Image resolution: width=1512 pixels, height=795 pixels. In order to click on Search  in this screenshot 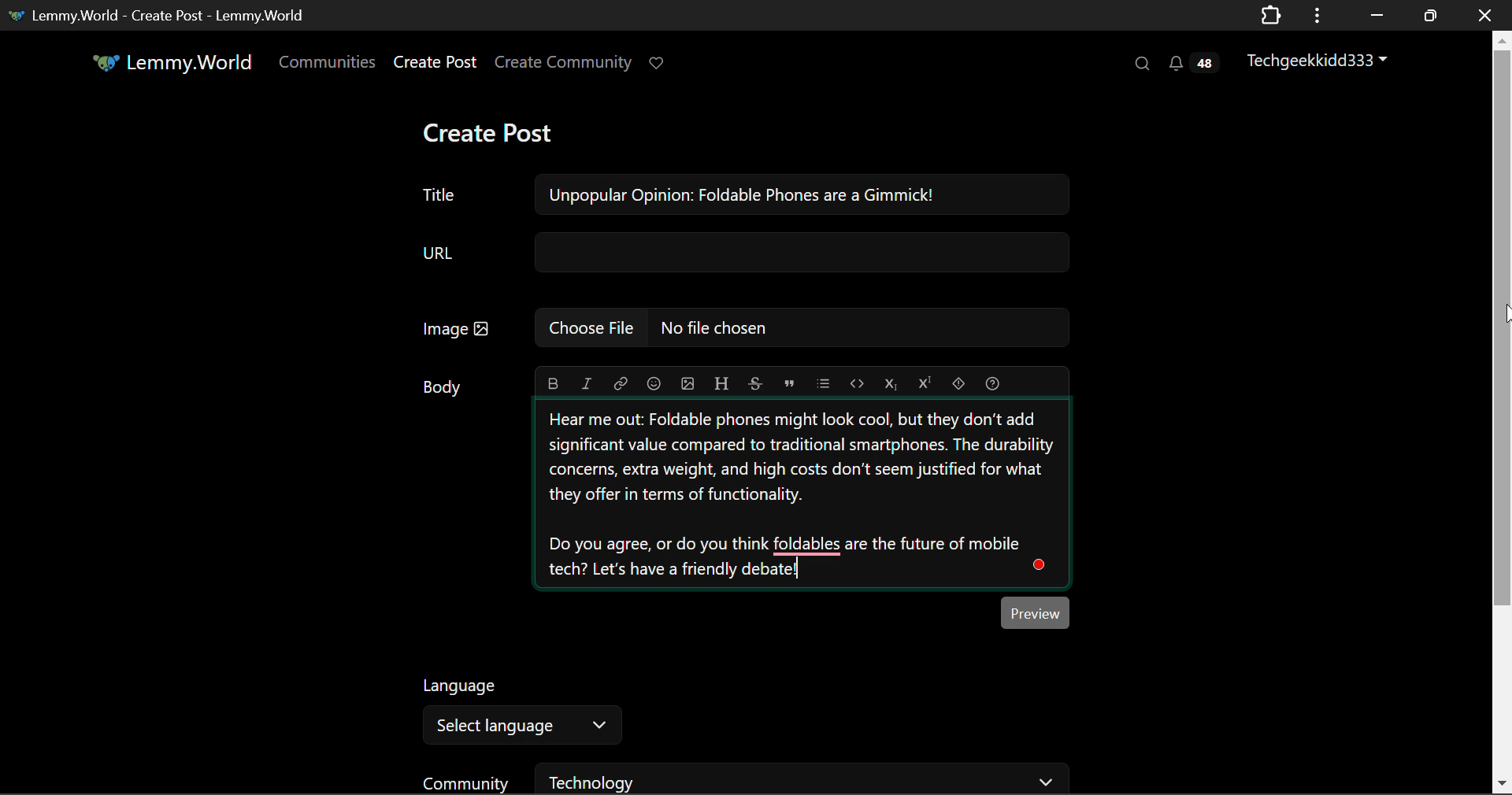, I will do `click(1140, 63)`.